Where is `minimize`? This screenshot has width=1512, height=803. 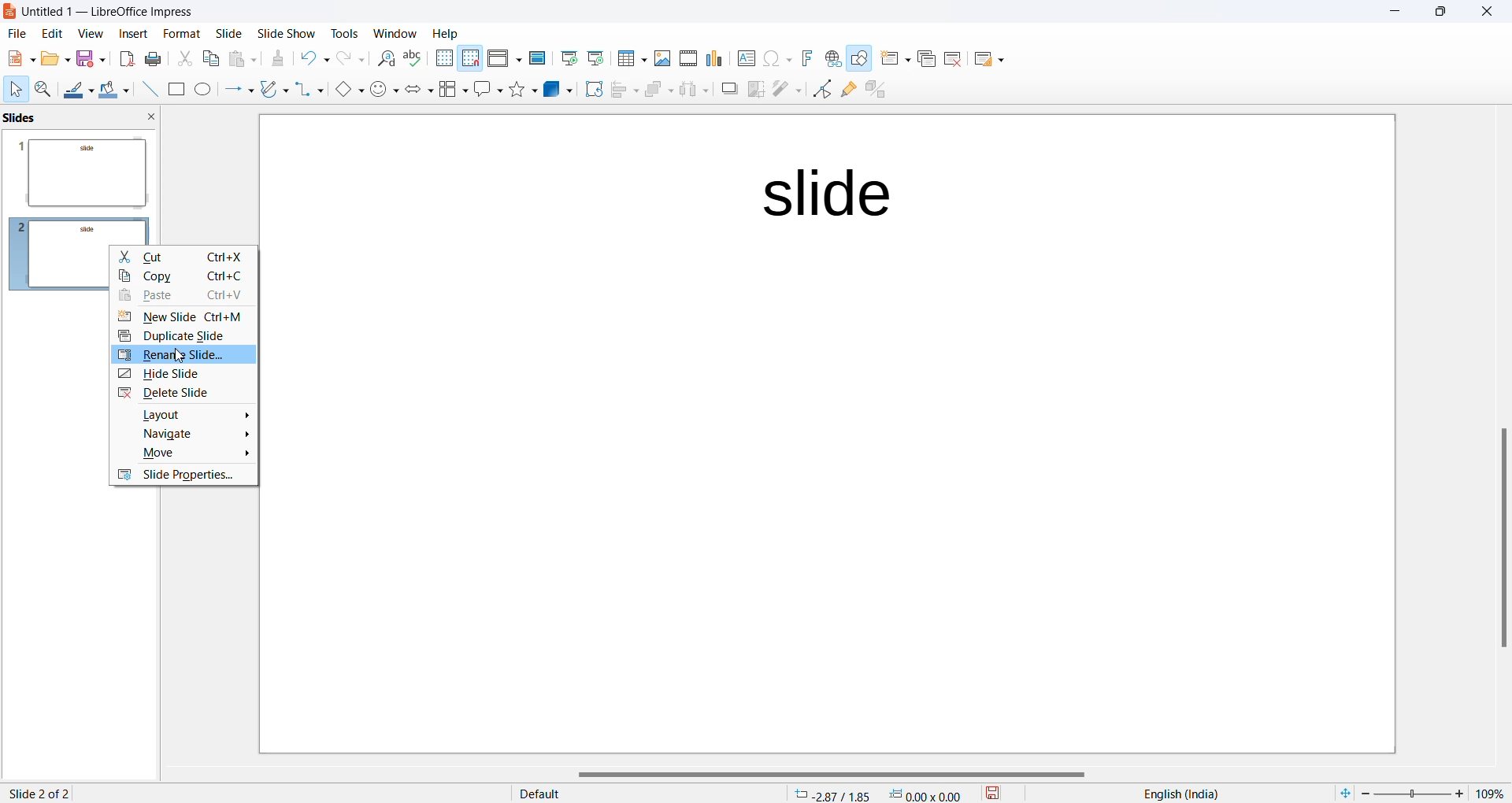
minimize is located at coordinates (1391, 13).